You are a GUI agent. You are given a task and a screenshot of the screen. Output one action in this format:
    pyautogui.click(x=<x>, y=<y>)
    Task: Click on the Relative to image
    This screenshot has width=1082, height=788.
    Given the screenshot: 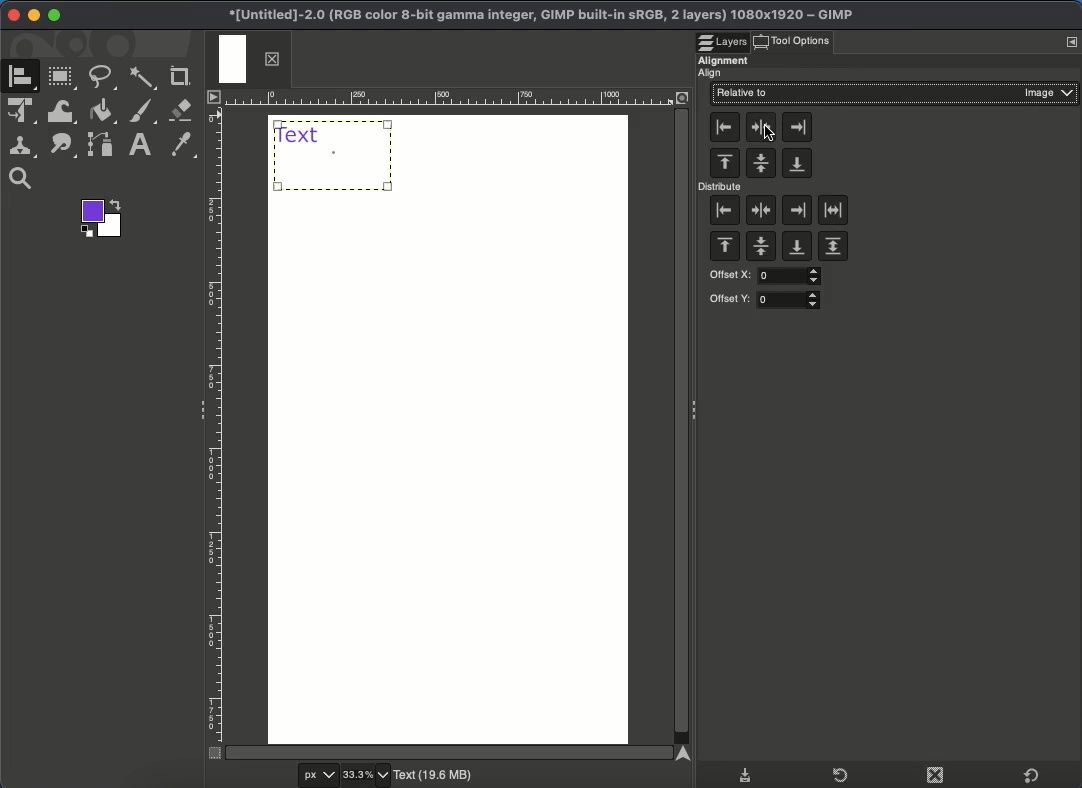 What is the action you would take?
    pyautogui.click(x=895, y=94)
    